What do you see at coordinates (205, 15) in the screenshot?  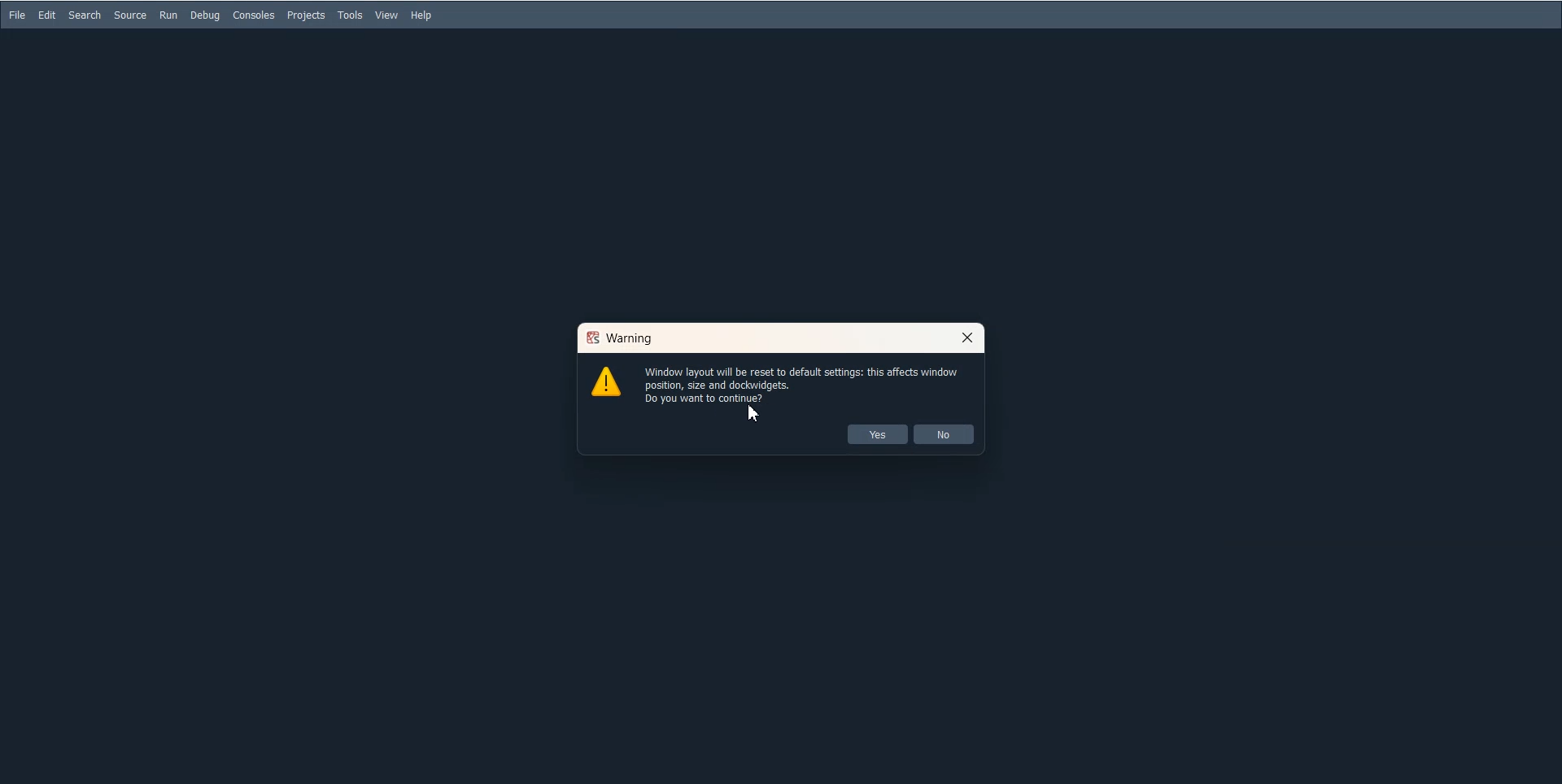 I see `Debug` at bounding box center [205, 15].